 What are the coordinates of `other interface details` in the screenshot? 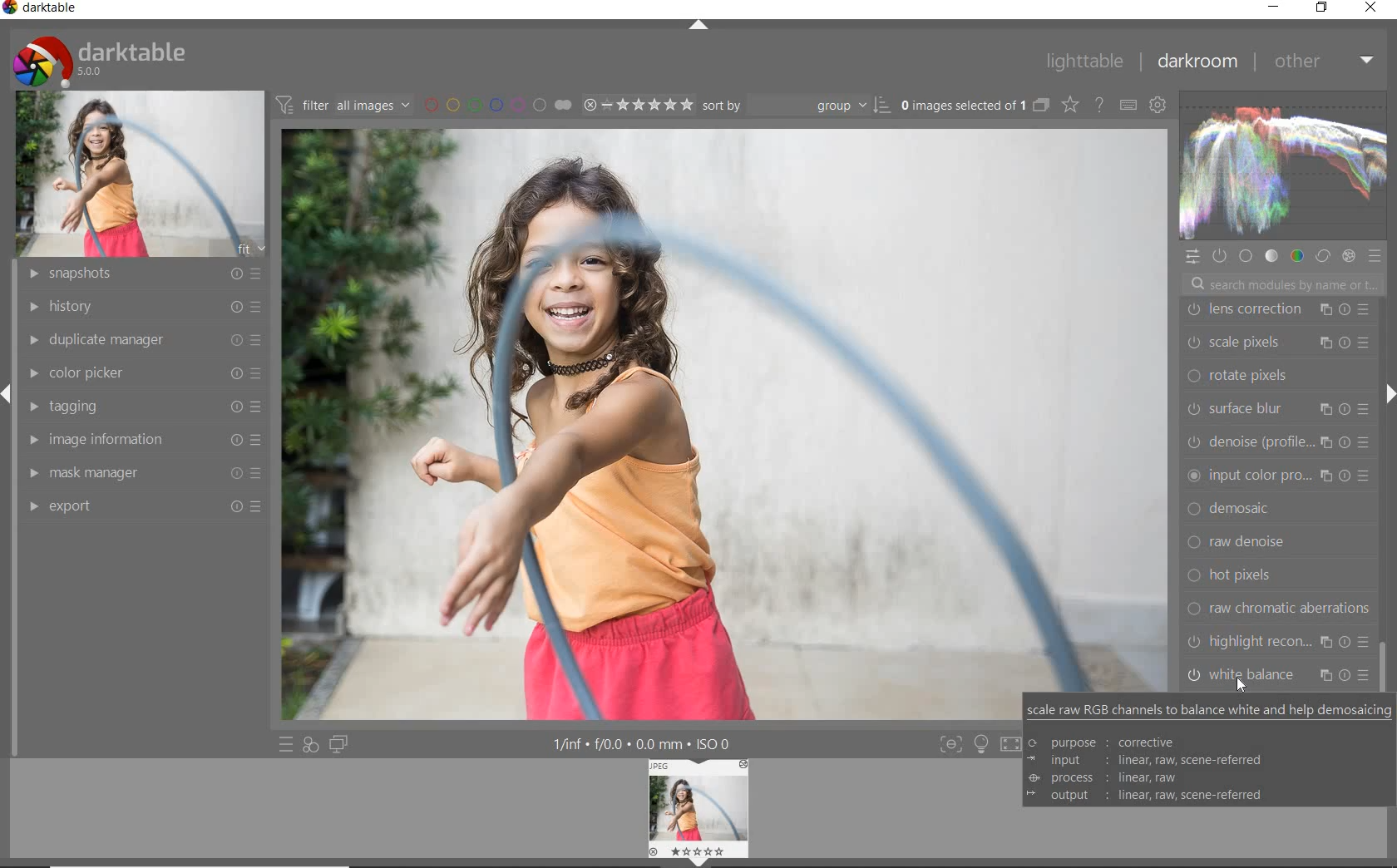 It's located at (644, 745).